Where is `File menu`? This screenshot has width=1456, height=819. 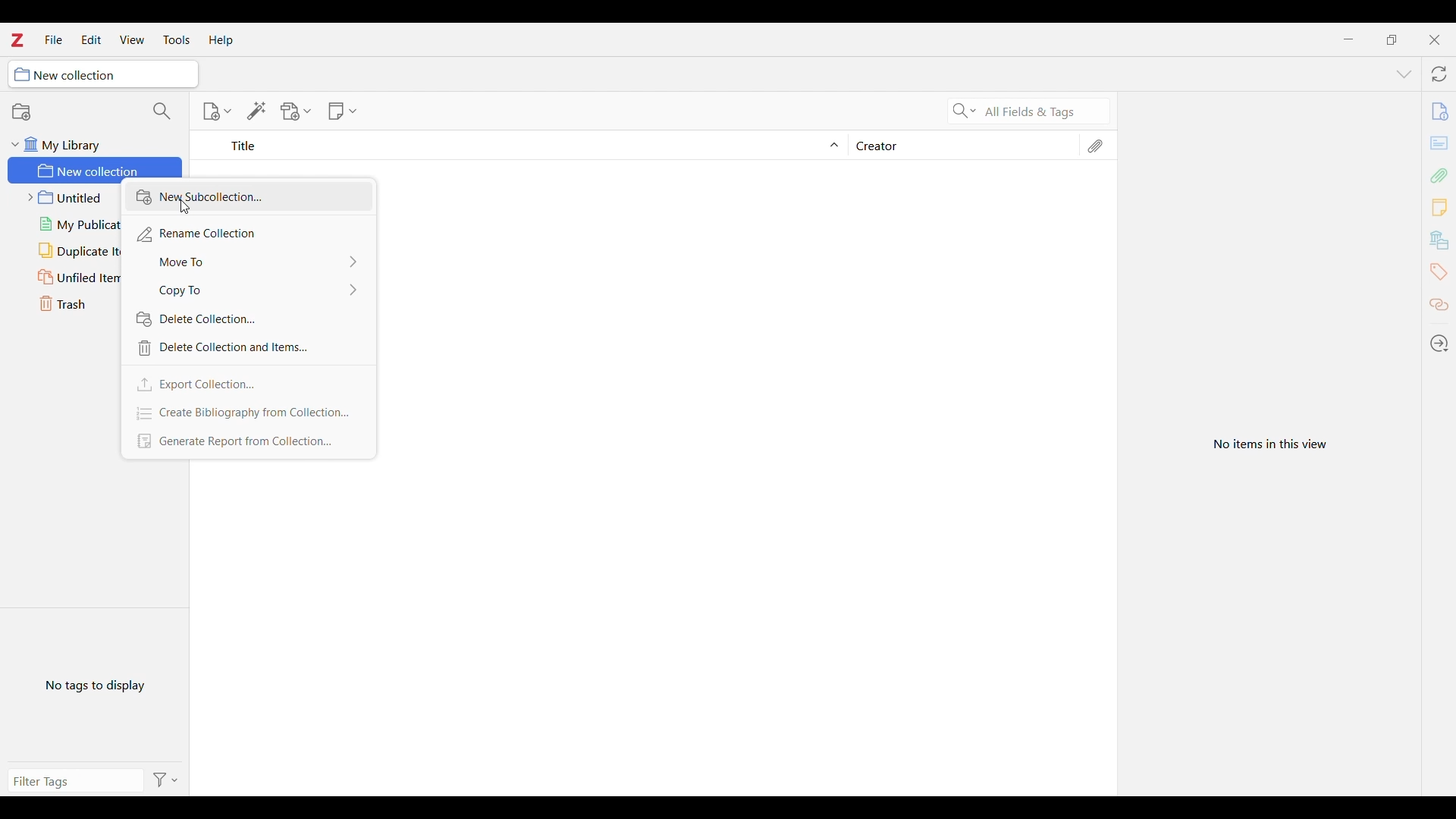 File menu is located at coordinates (54, 39).